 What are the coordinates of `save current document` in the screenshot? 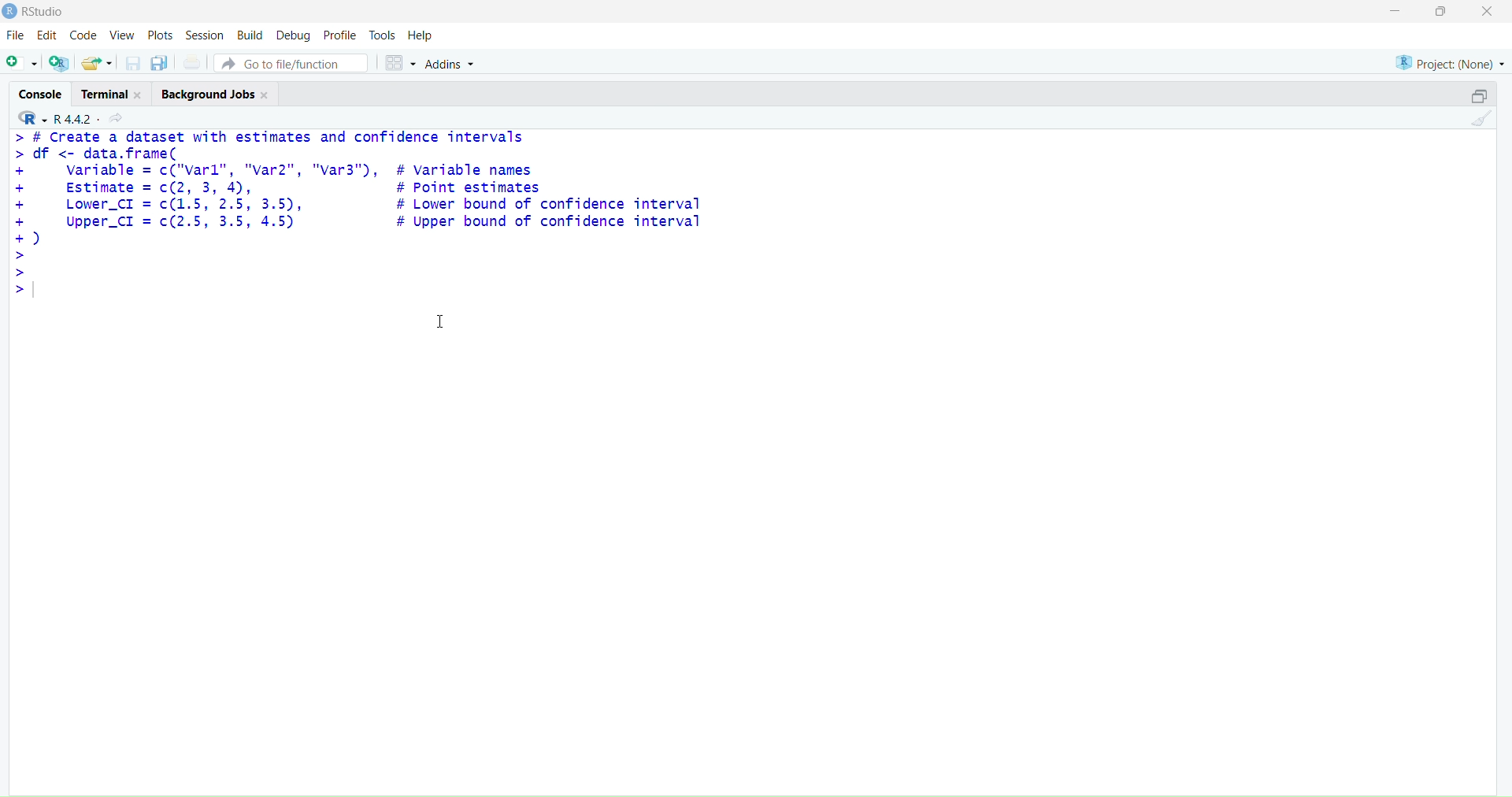 It's located at (132, 61).